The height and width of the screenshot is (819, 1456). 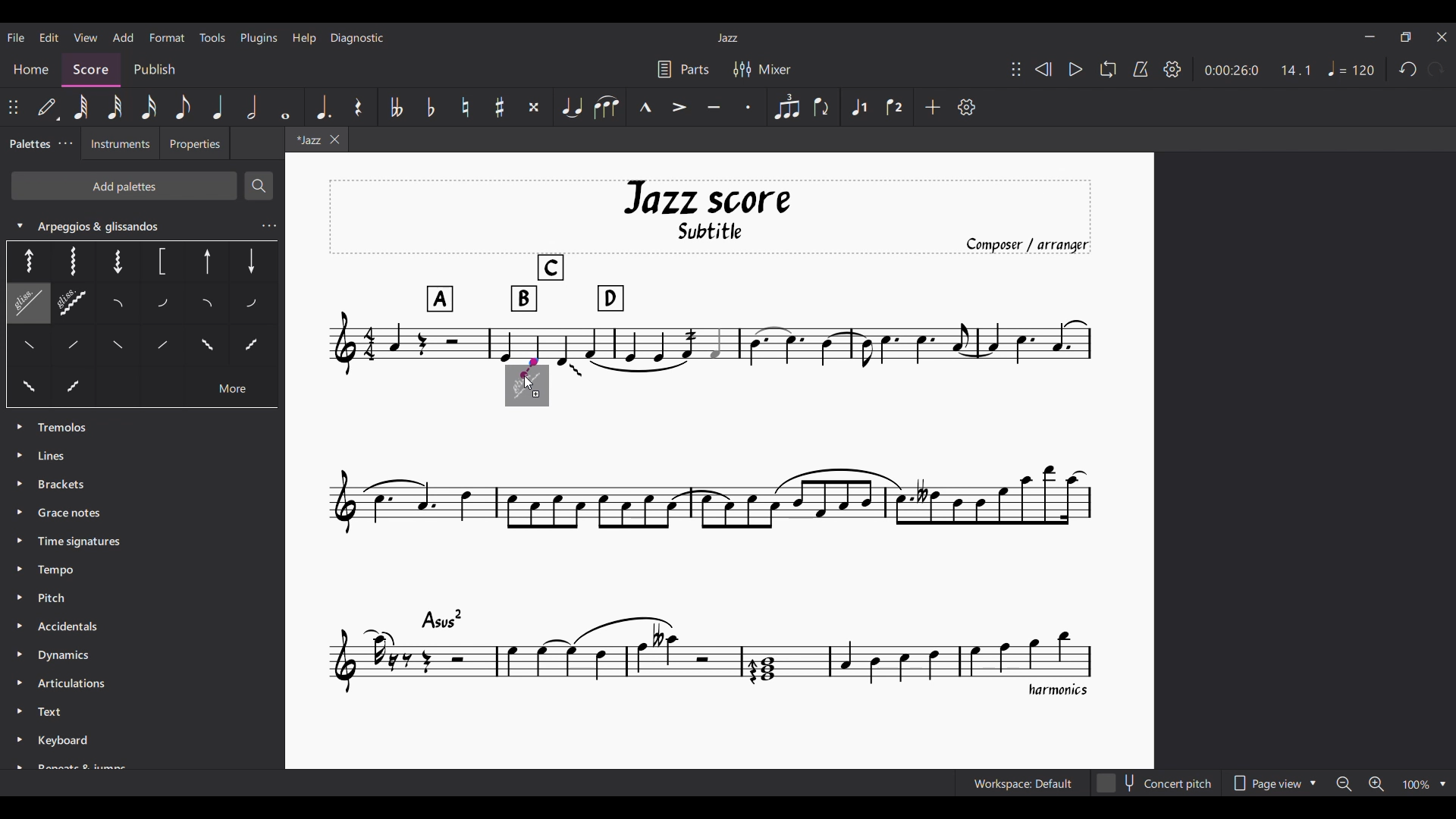 What do you see at coordinates (253, 107) in the screenshot?
I see `Half note` at bounding box center [253, 107].